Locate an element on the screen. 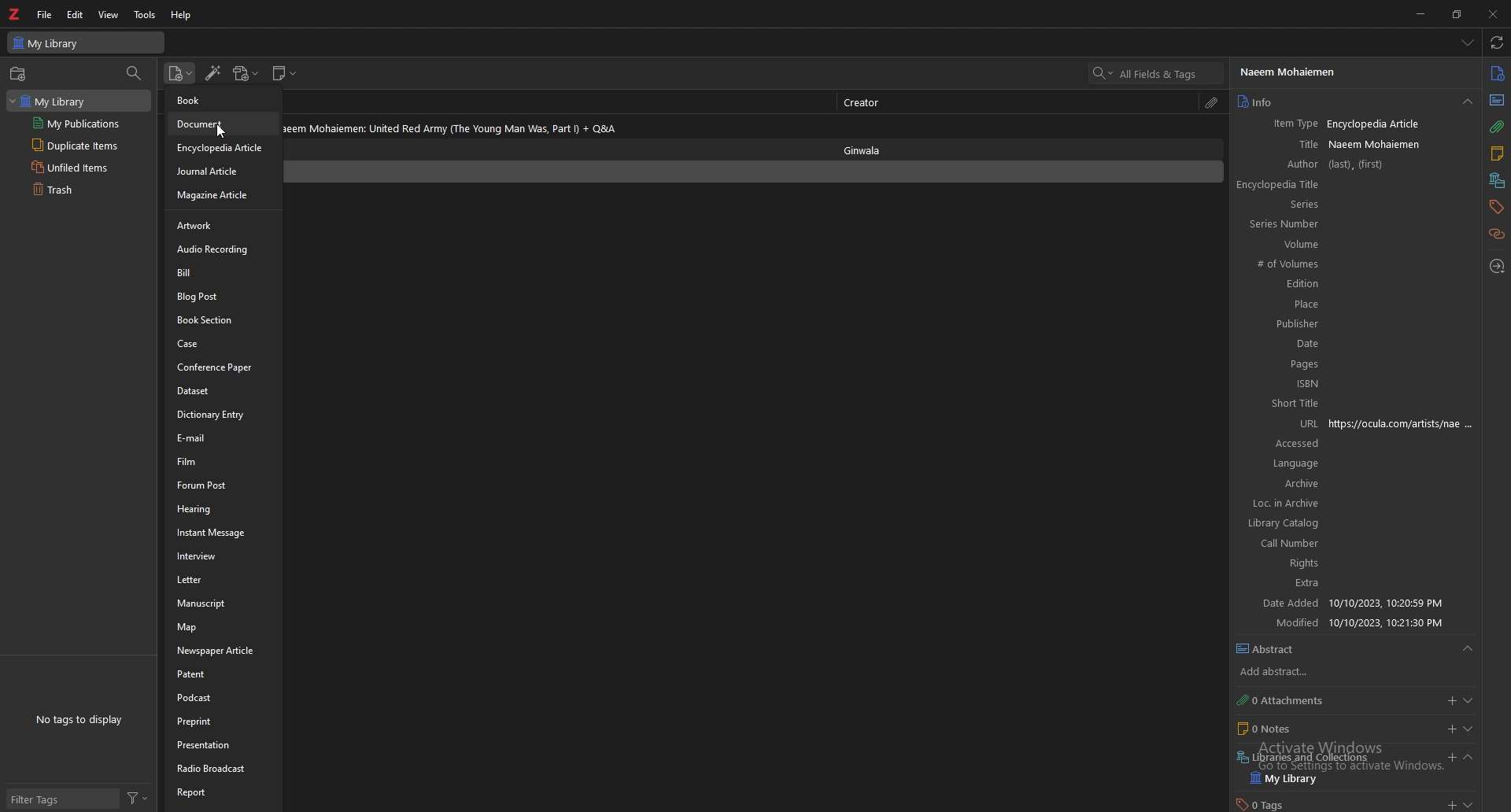  expand section is located at coordinates (1471, 729).